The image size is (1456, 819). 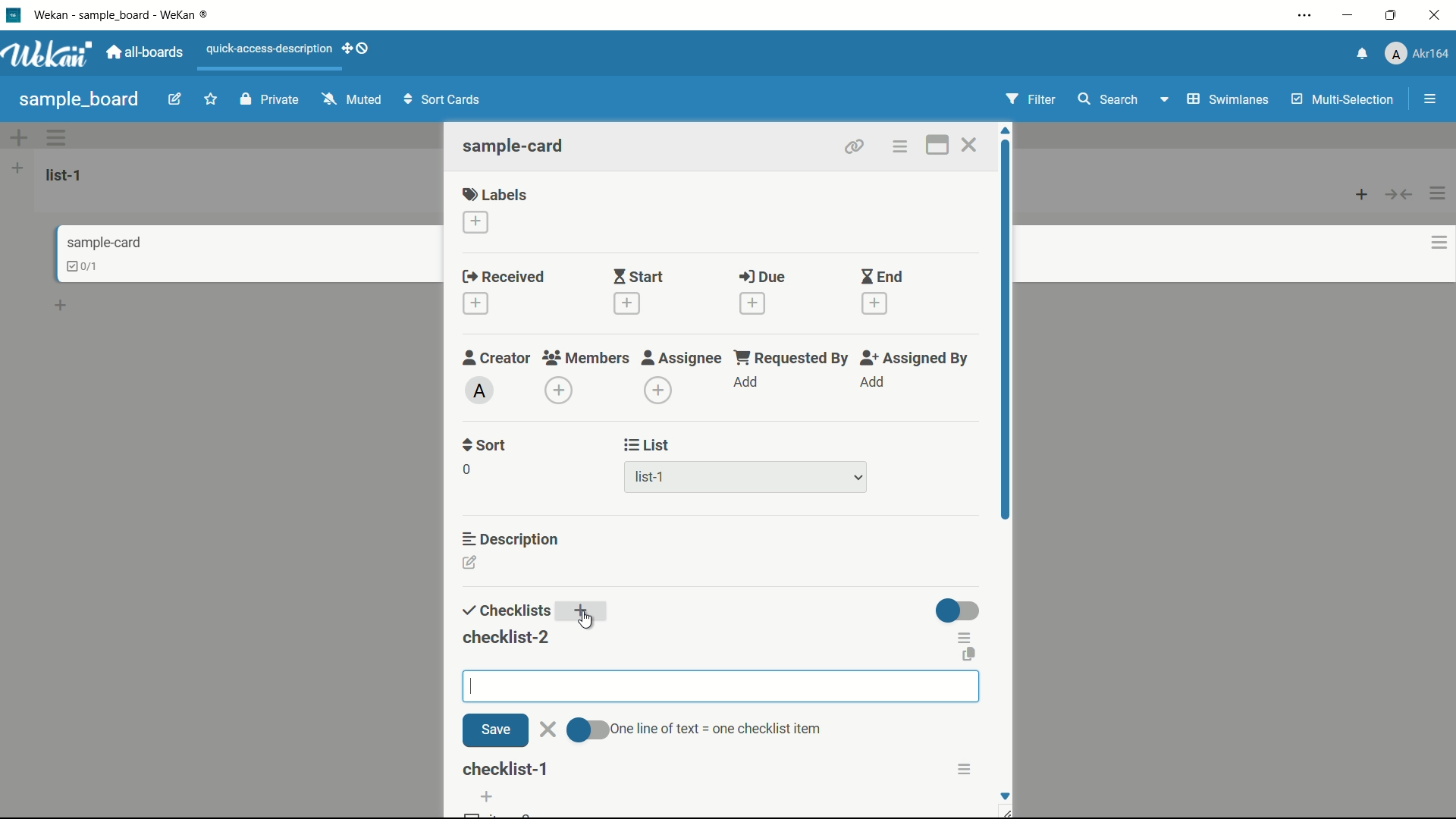 What do you see at coordinates (495, 193) in the screenshot?
I see `labels` at bounding box center [495, 193].